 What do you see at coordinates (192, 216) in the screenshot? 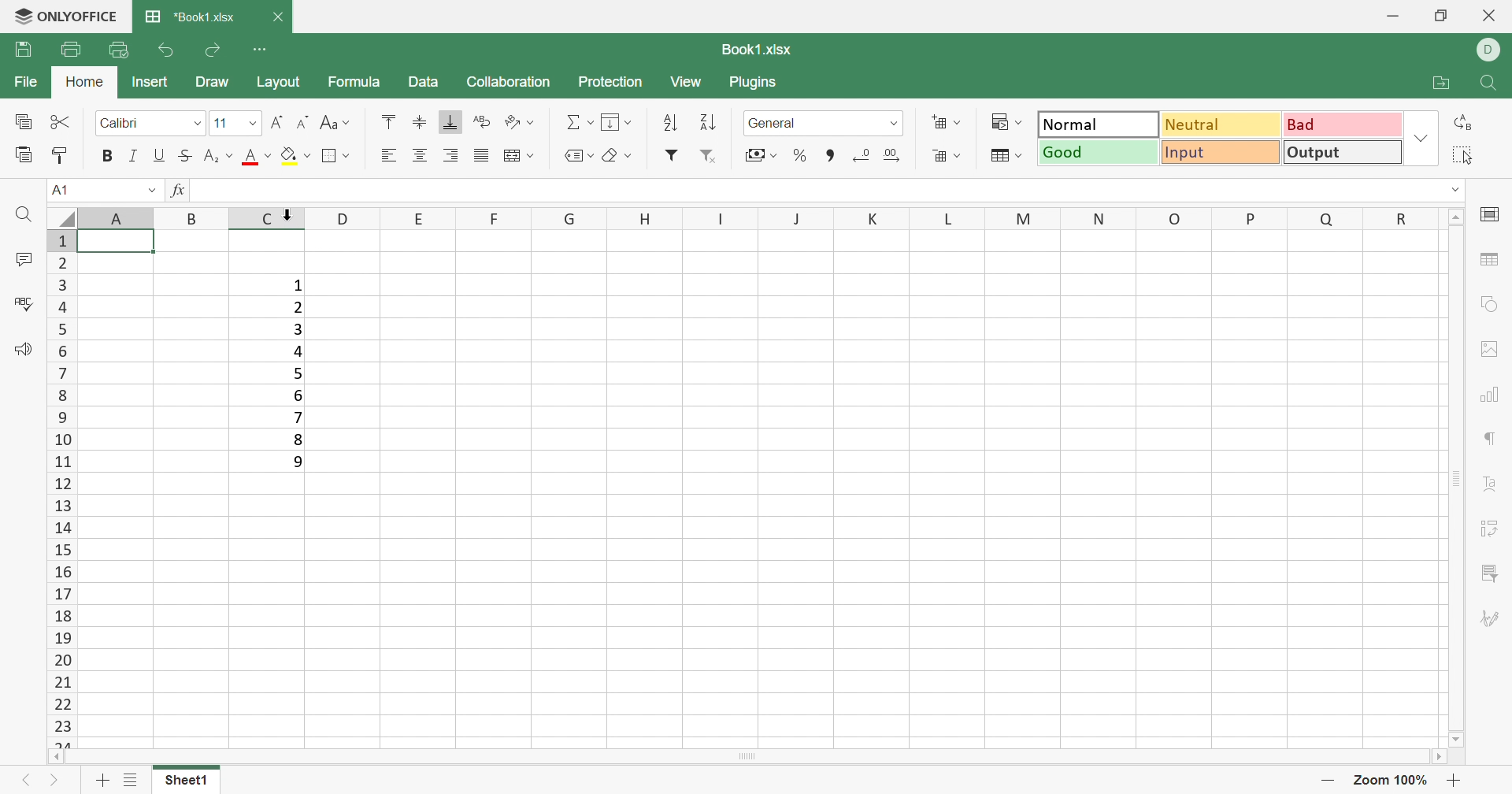
I see `` at bounding box center [192, 216].